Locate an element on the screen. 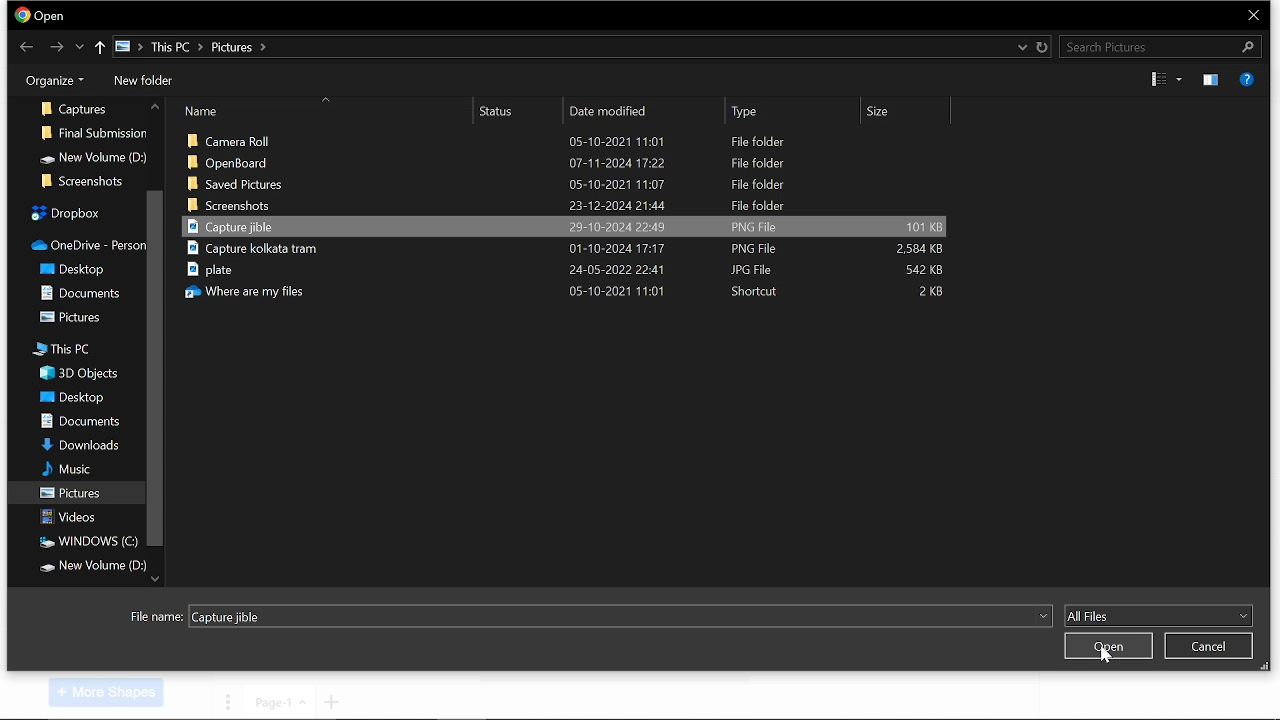 The height and width of the screenshot is (720, 1280). folders is located at coordinates (84, 241).